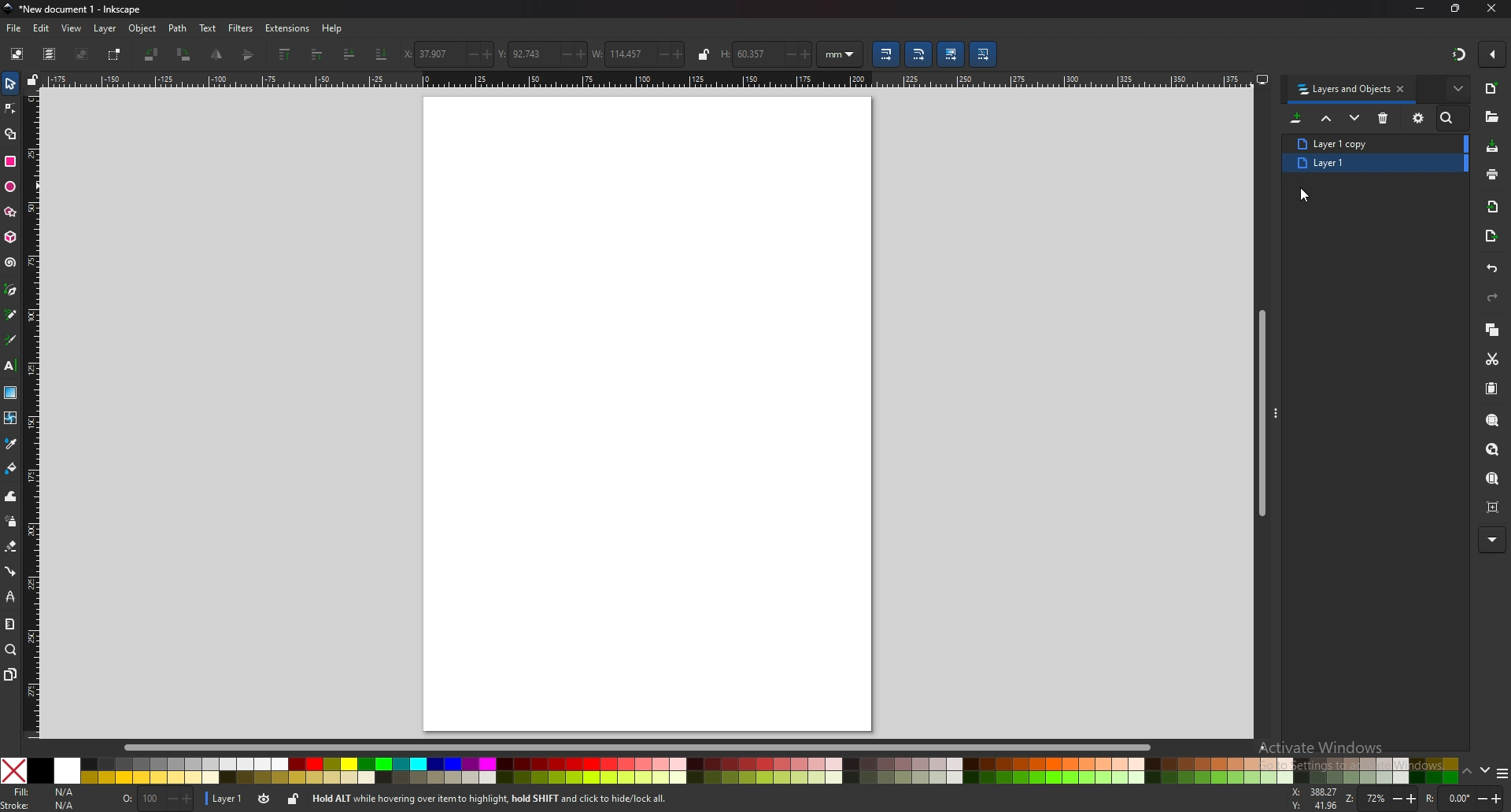 Image resolution: width=1511 pixels, height=812 pixels. I want to click on file, so click(14, 29).